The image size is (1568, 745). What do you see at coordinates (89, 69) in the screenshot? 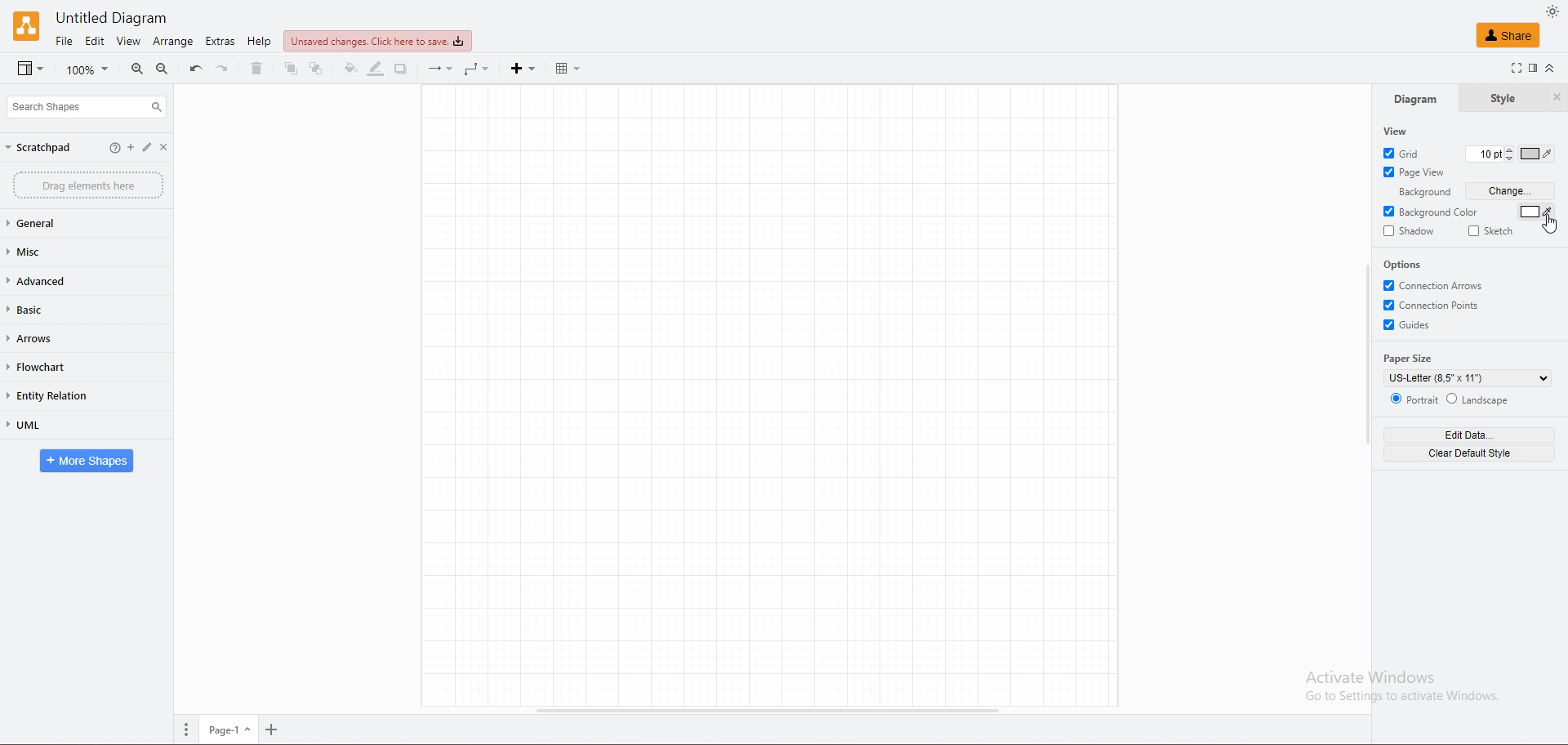
I see `zoom percentage` at bounding box center [89, 69].